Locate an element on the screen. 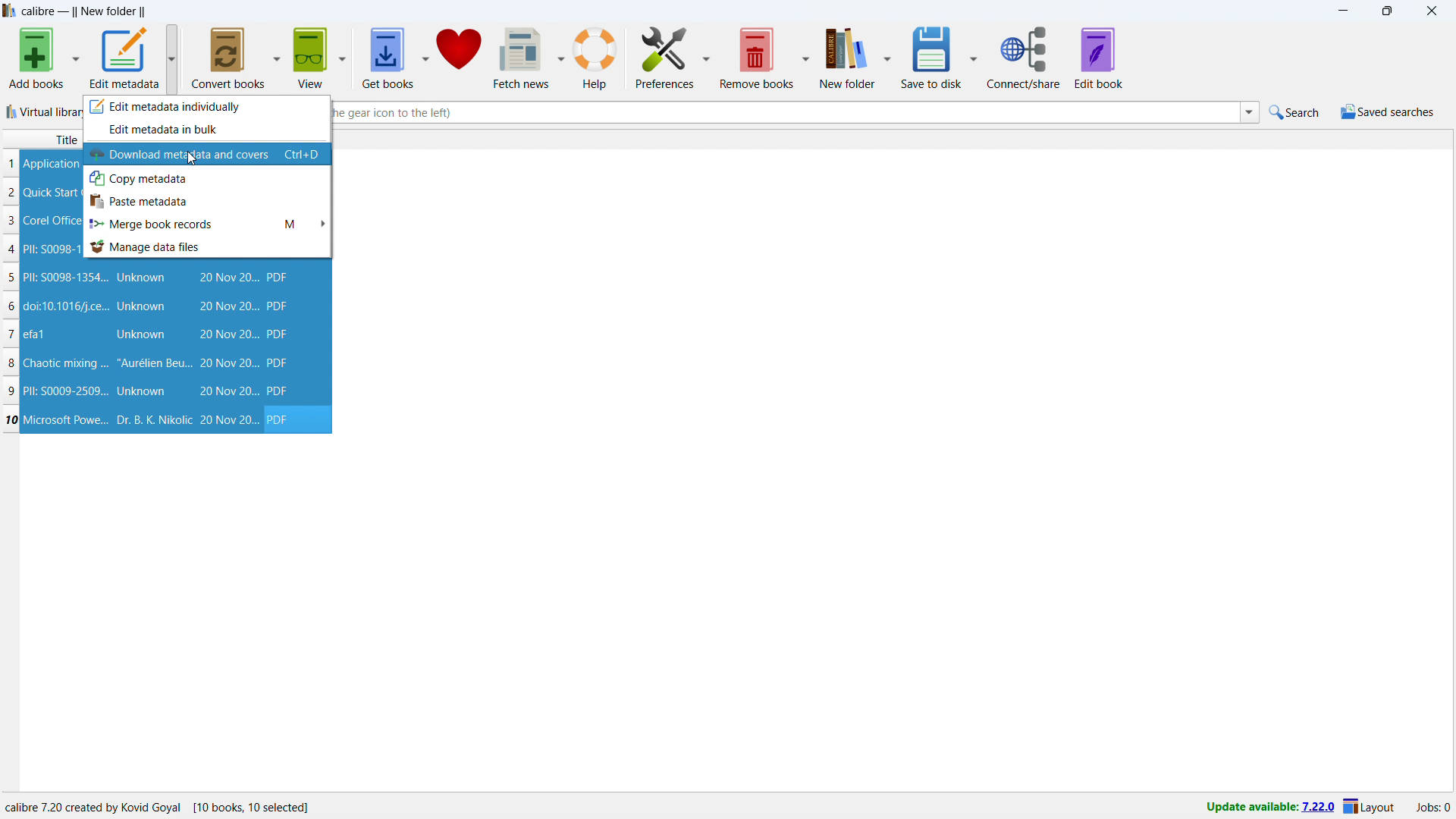 The height and width of the screenshot is (819, 1456). manage data files is located at coordinates (208, 246).